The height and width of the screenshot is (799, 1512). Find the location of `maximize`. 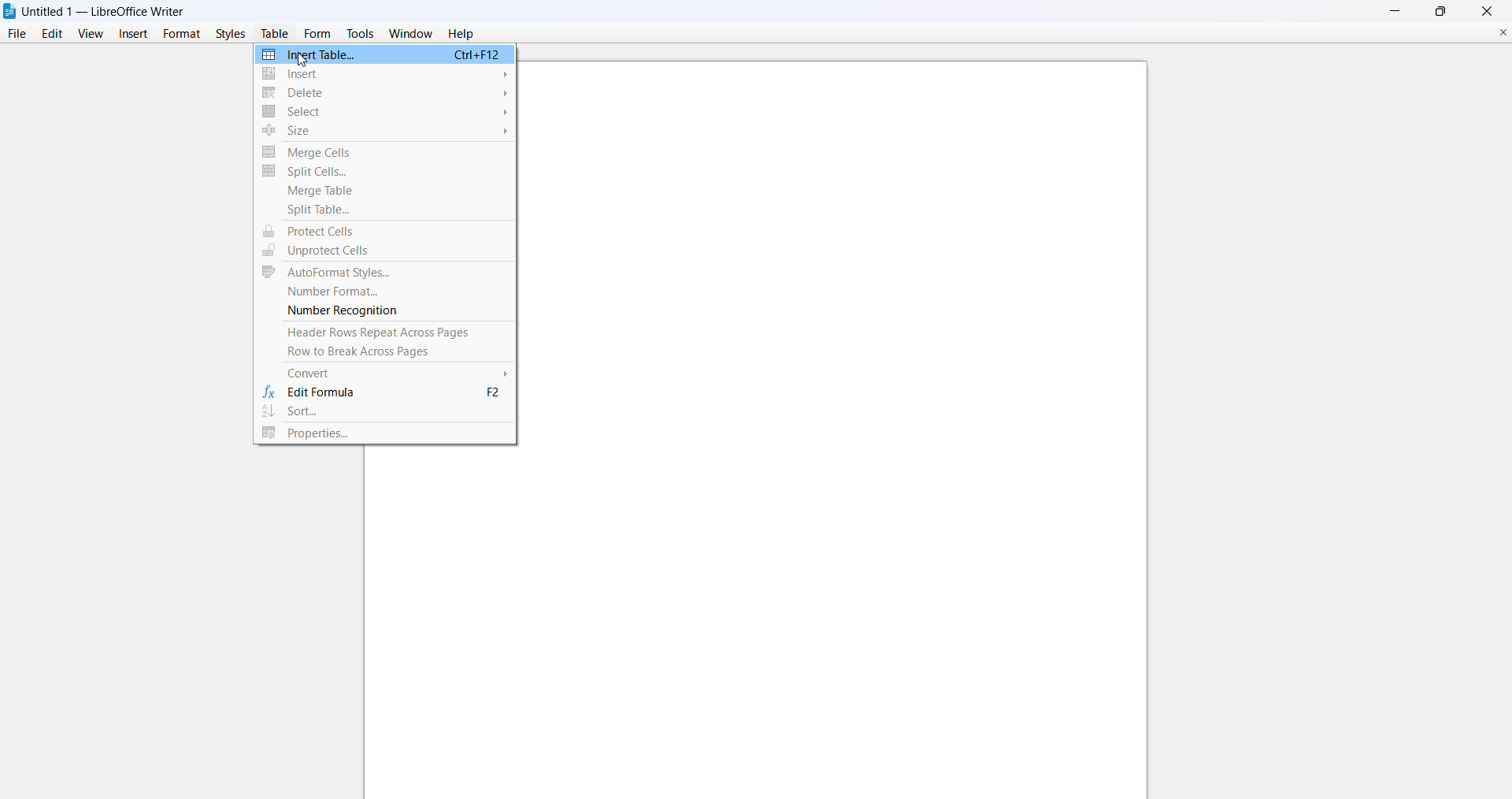

maximize is located at coordinates (1443, 11).